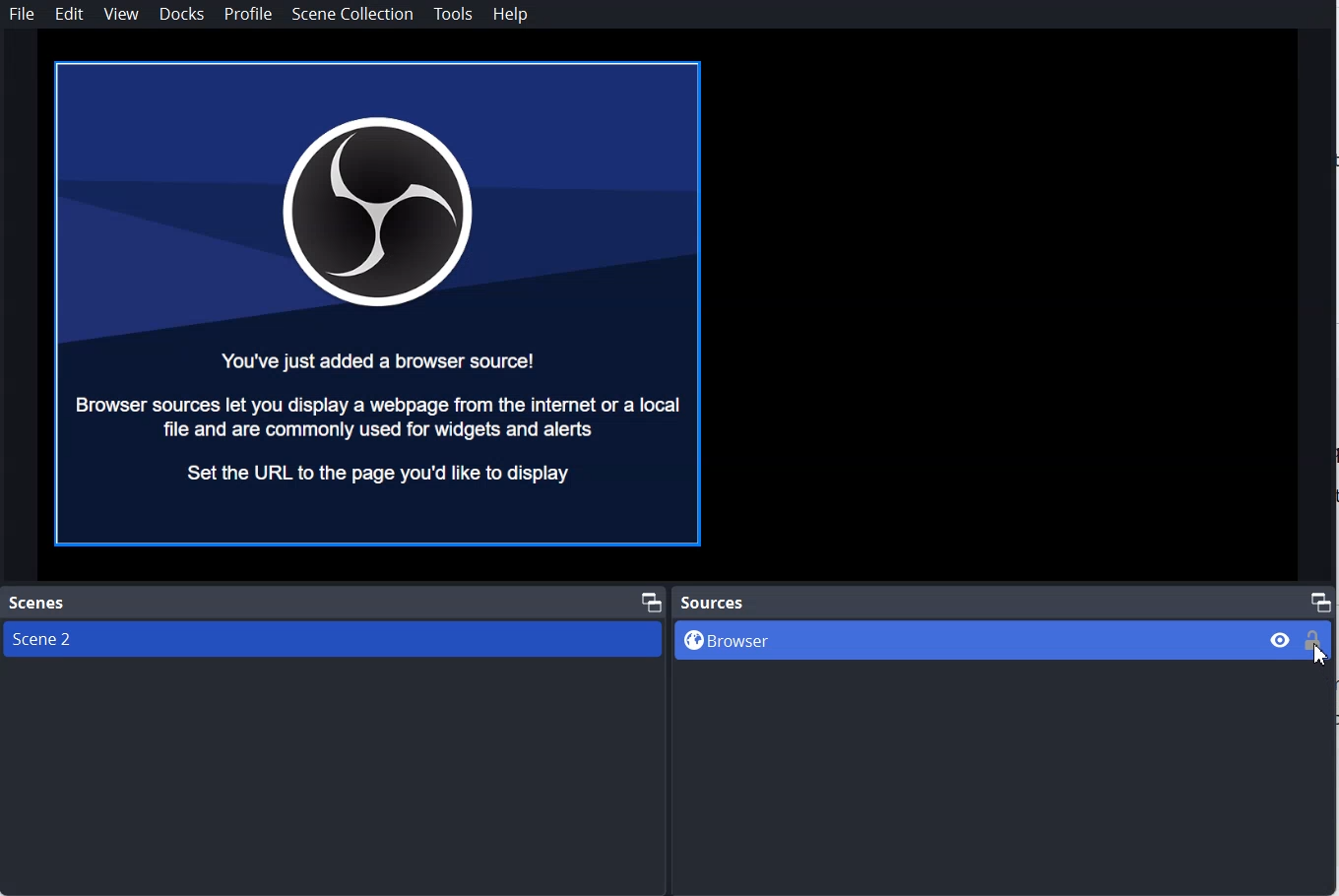 The height and width of the screenshot is (896, 1339). Describe the element at coordinates (42, 603) in the screenshot. I see `Scene` at that location.